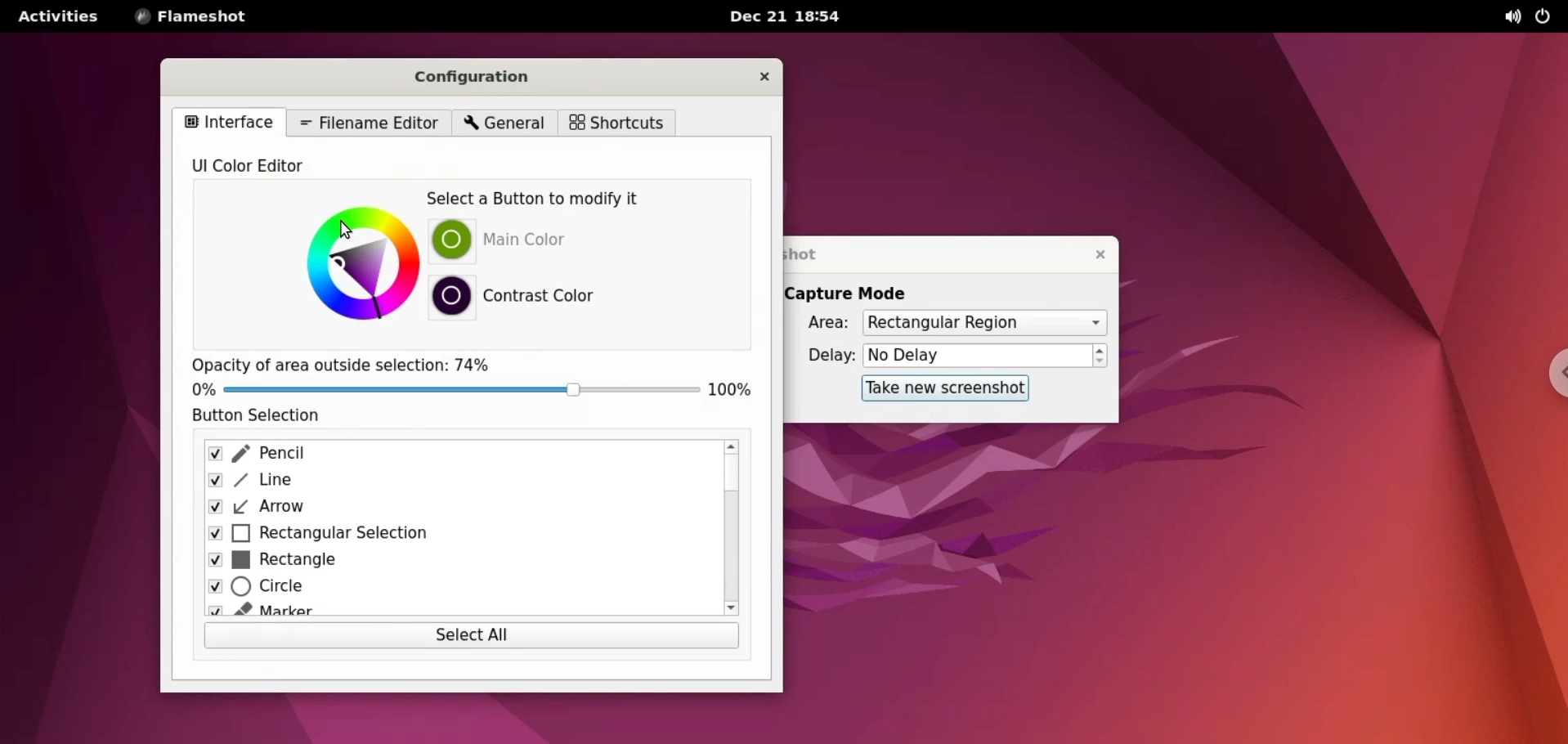 The image size is (1568, 744). What do you see at coordinates (365, 362) in the screenshot?
I see `opacity of area outside selection:74%` at bounding box center [365, 362].